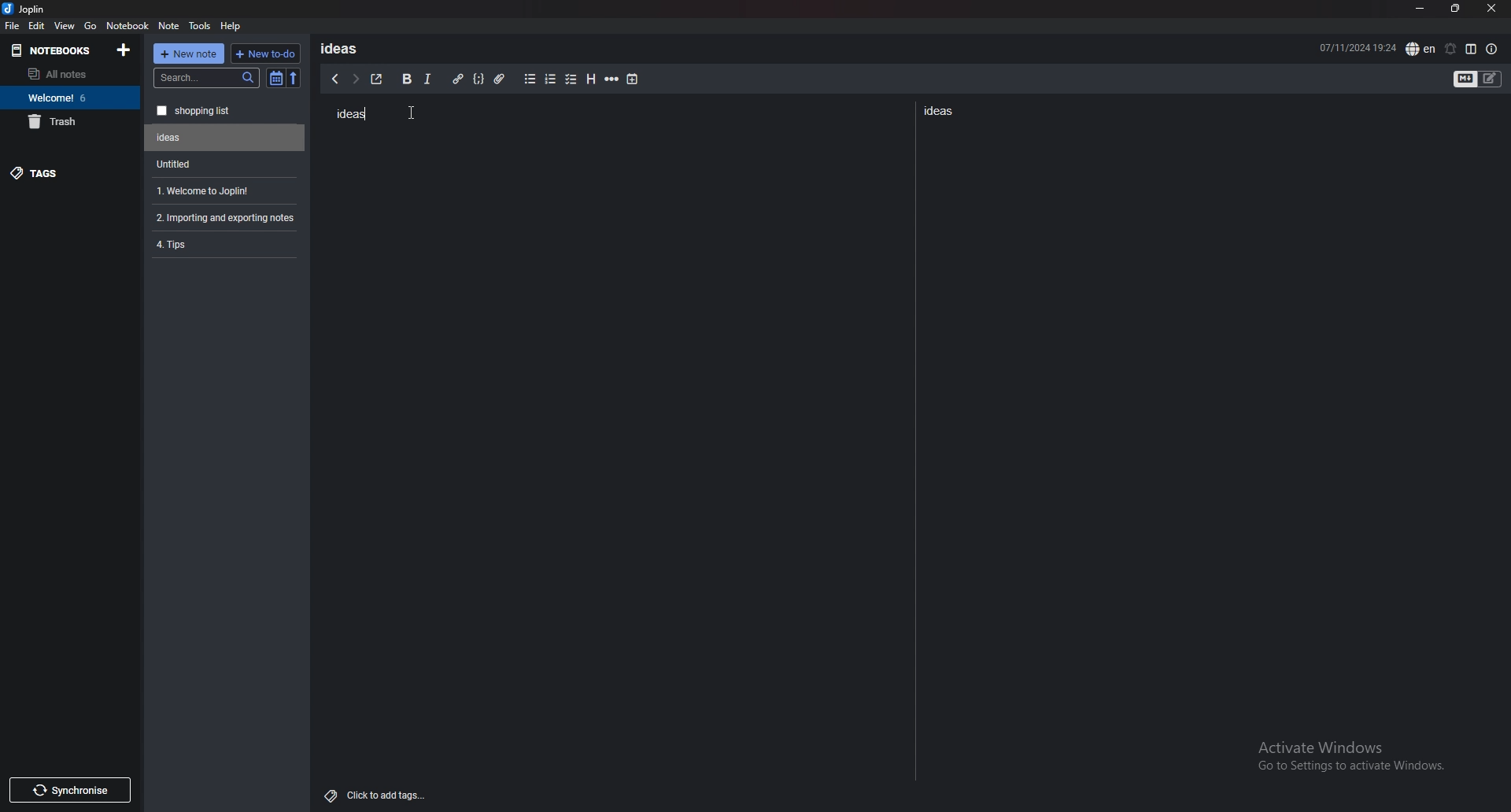 The height and width of the screenshot is (812, 1511). I want to click on Joplin, so click(36, 9).